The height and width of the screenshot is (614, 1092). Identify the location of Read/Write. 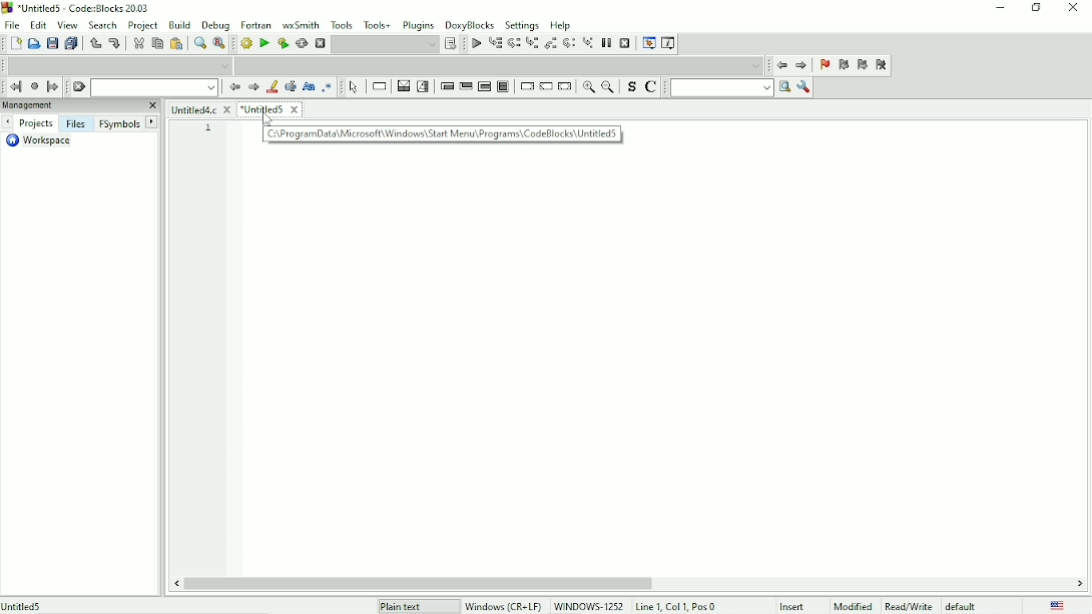
(906, 606).